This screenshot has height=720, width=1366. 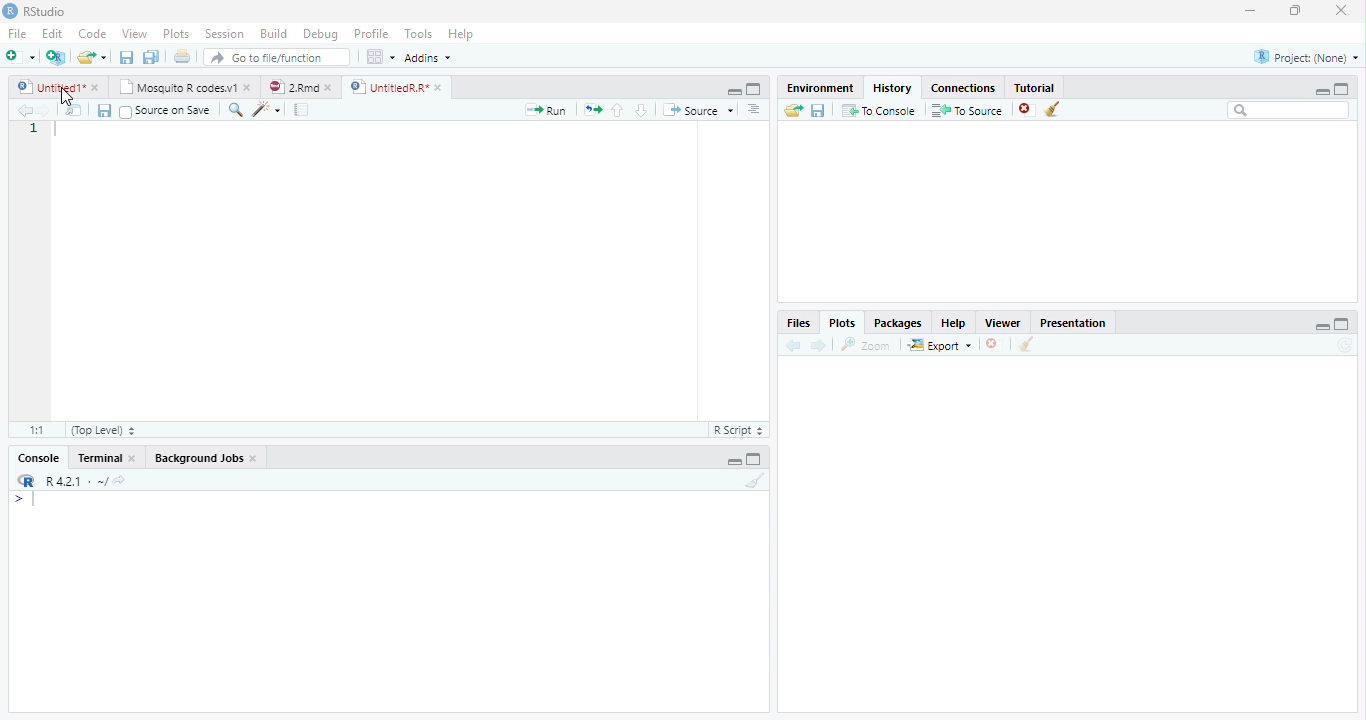 What do you see at coordinates (543, 111) in the screenshot?
I see `Run` at bounding box center [543, 111].